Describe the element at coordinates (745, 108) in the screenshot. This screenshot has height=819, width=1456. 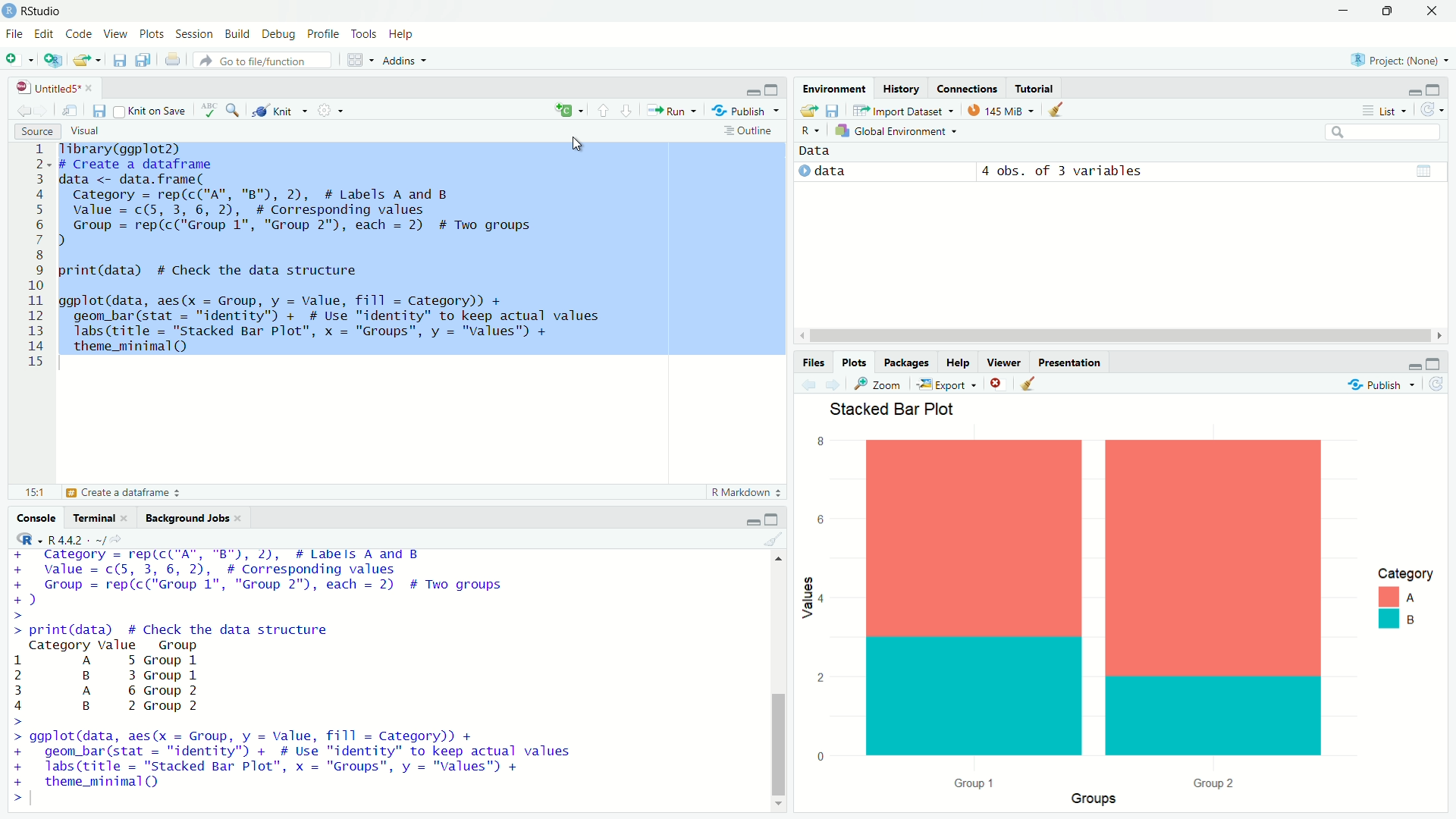
I see `Publish` at that location.